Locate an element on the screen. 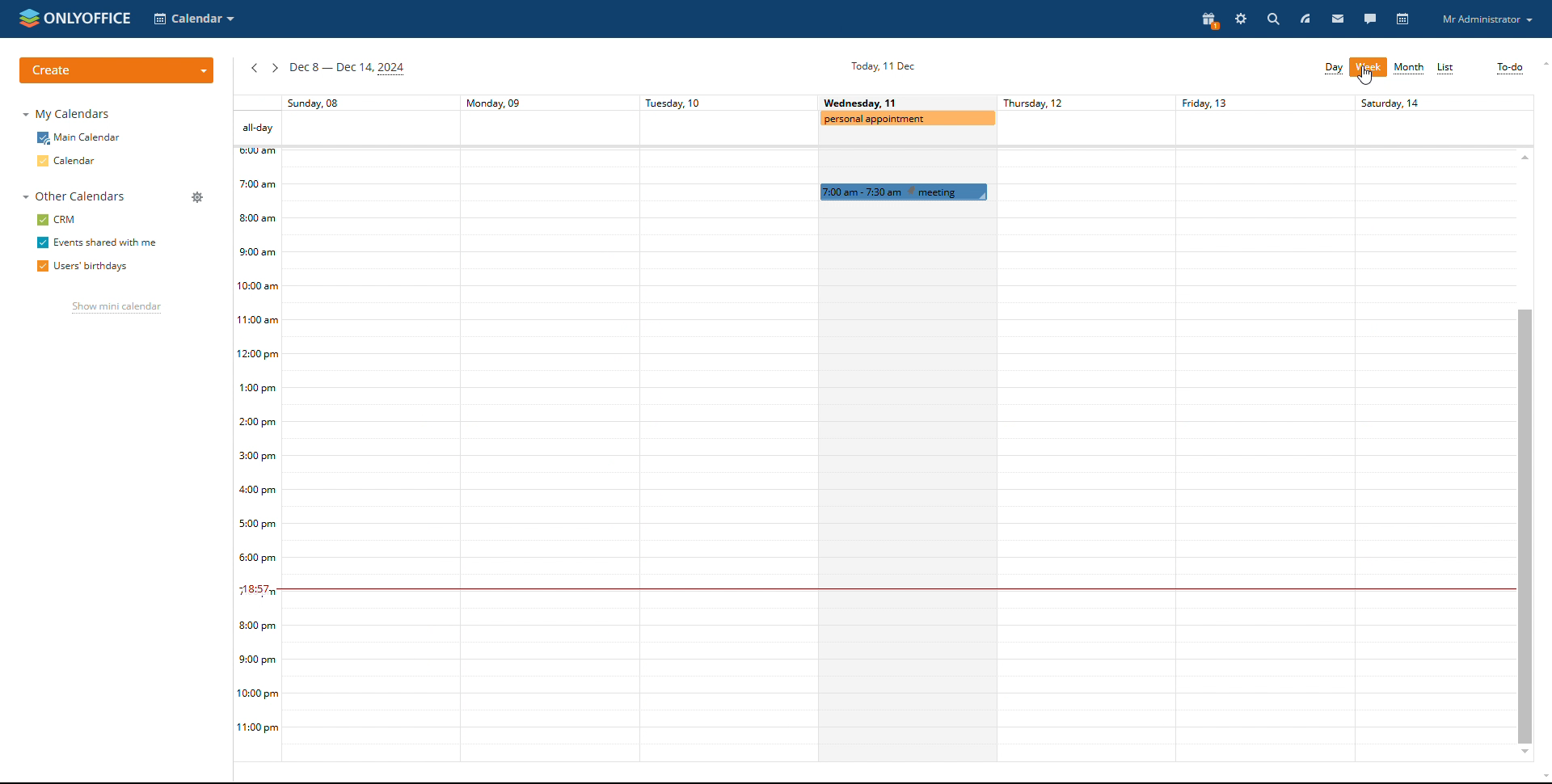 The image size is (1552, 784). previous week is located at coordinates (255, 69).